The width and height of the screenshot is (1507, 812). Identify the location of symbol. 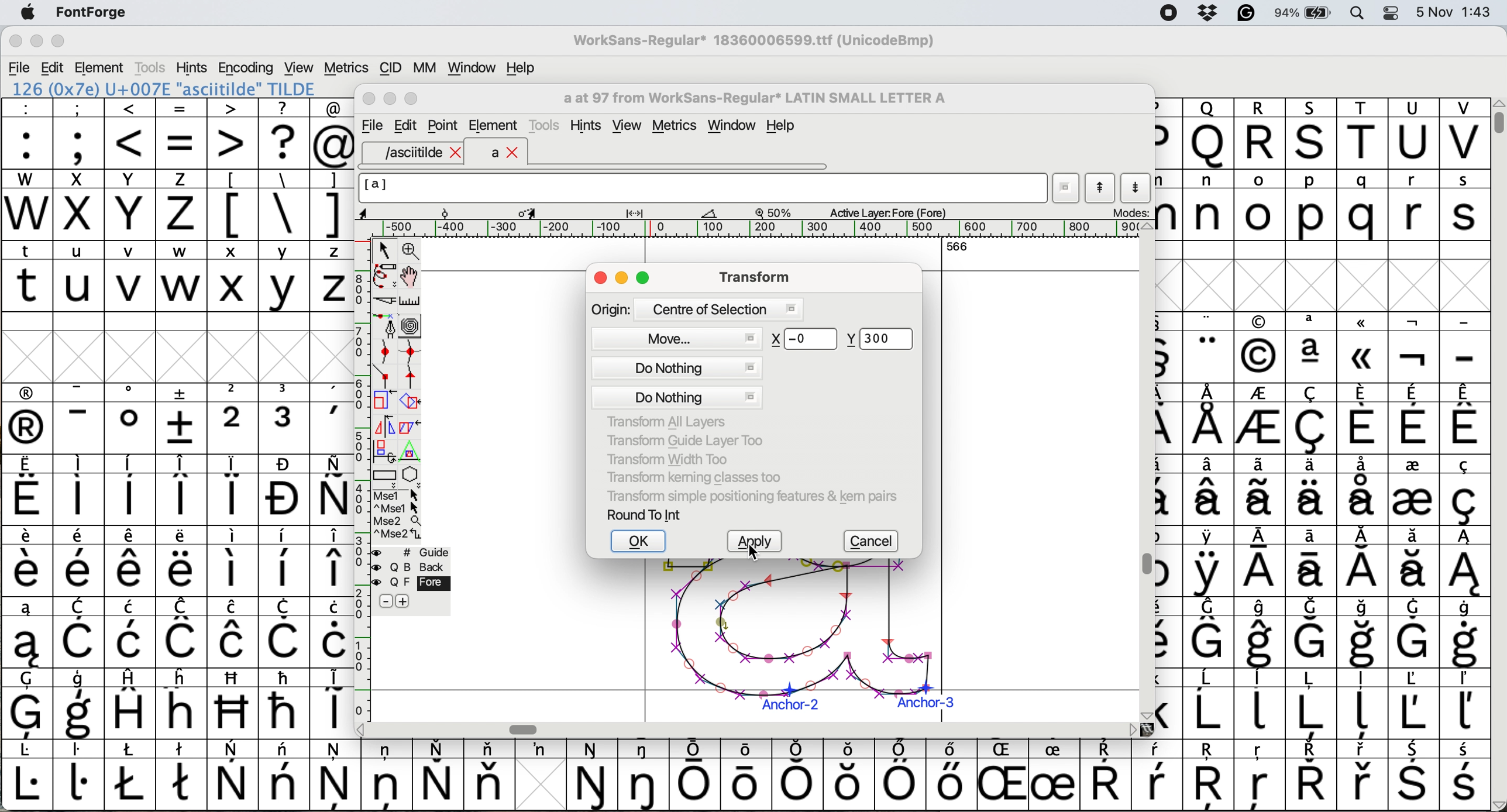
(646, 775).